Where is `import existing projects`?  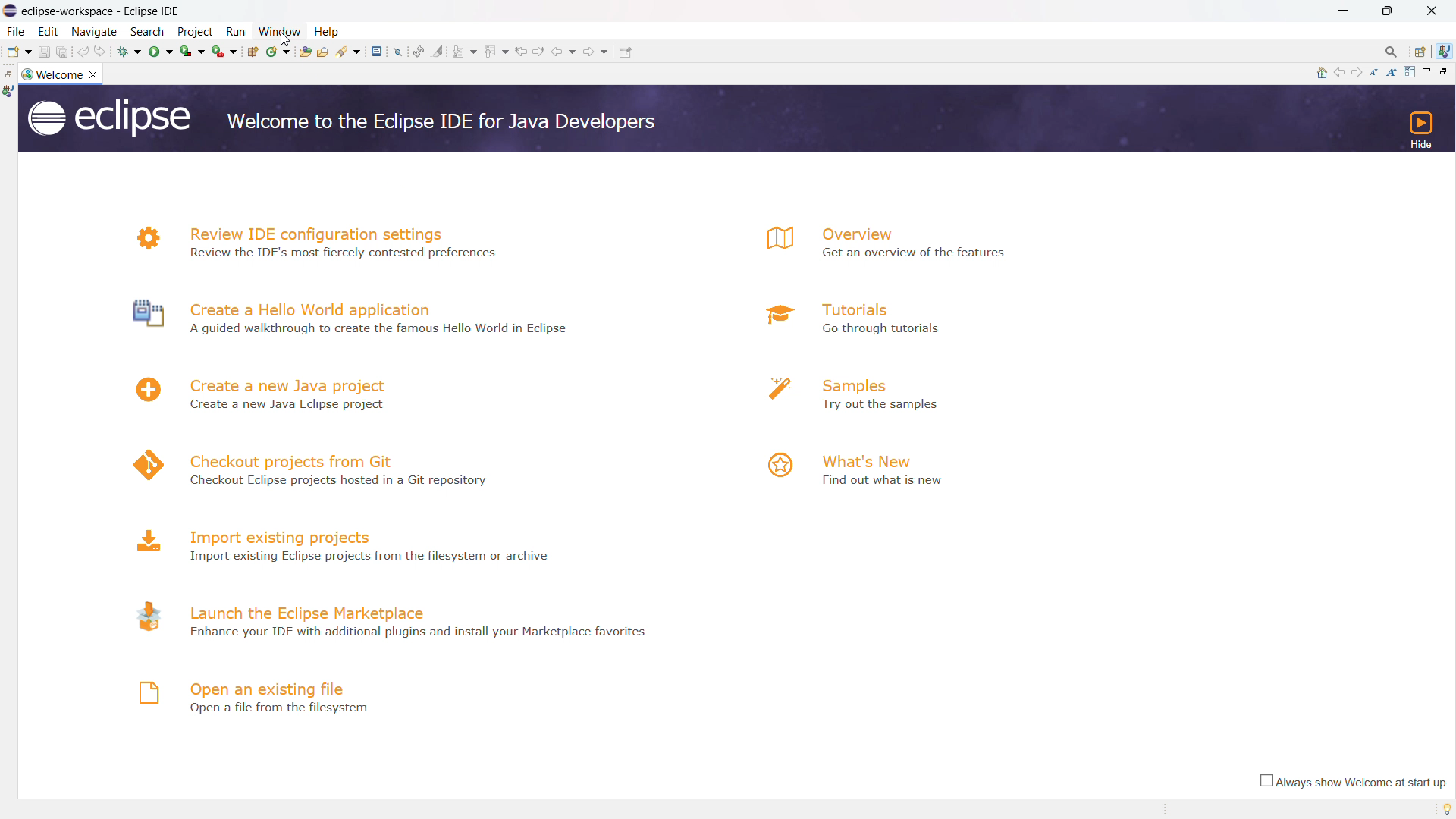
import existing projects is located at coordinates (290, 535).